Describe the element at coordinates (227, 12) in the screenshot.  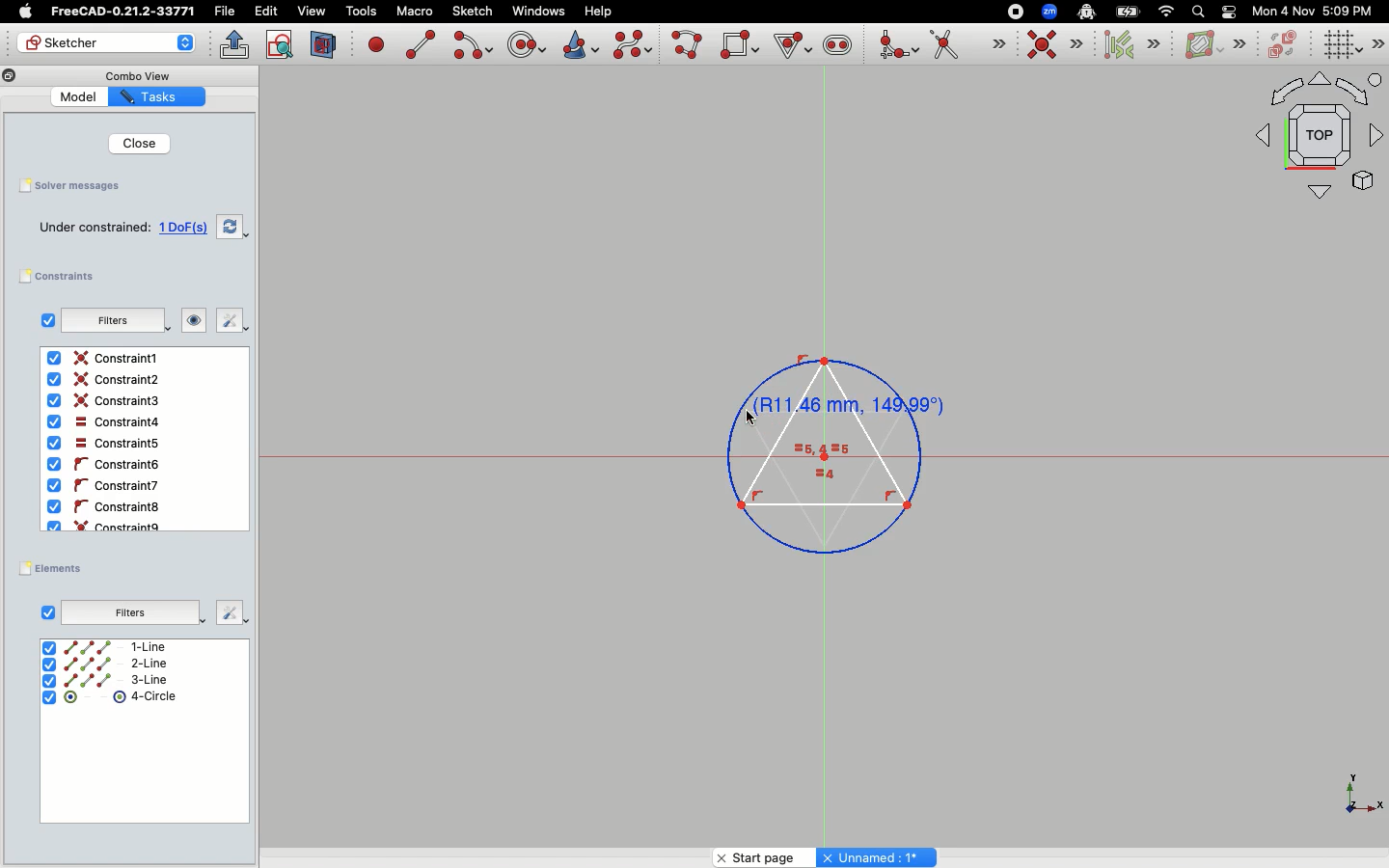
I see `File` at that location.